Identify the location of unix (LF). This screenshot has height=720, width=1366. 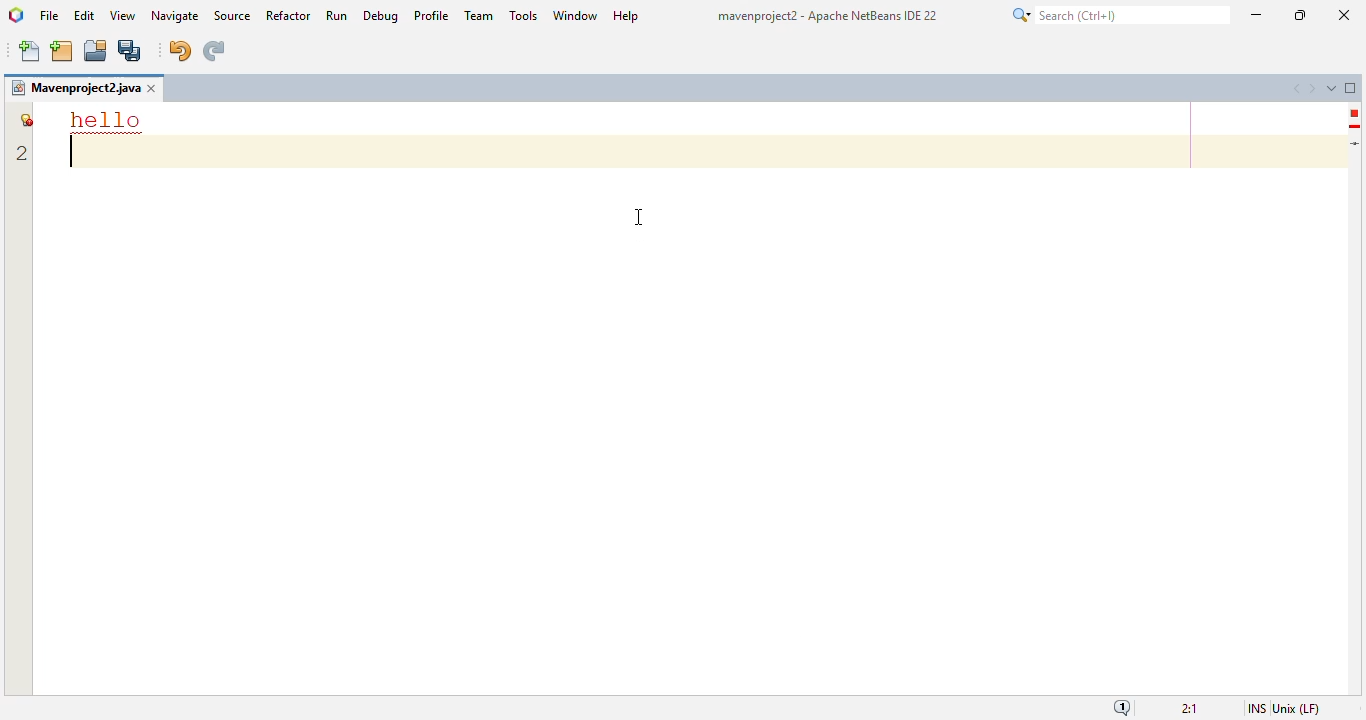
(1298, 709).